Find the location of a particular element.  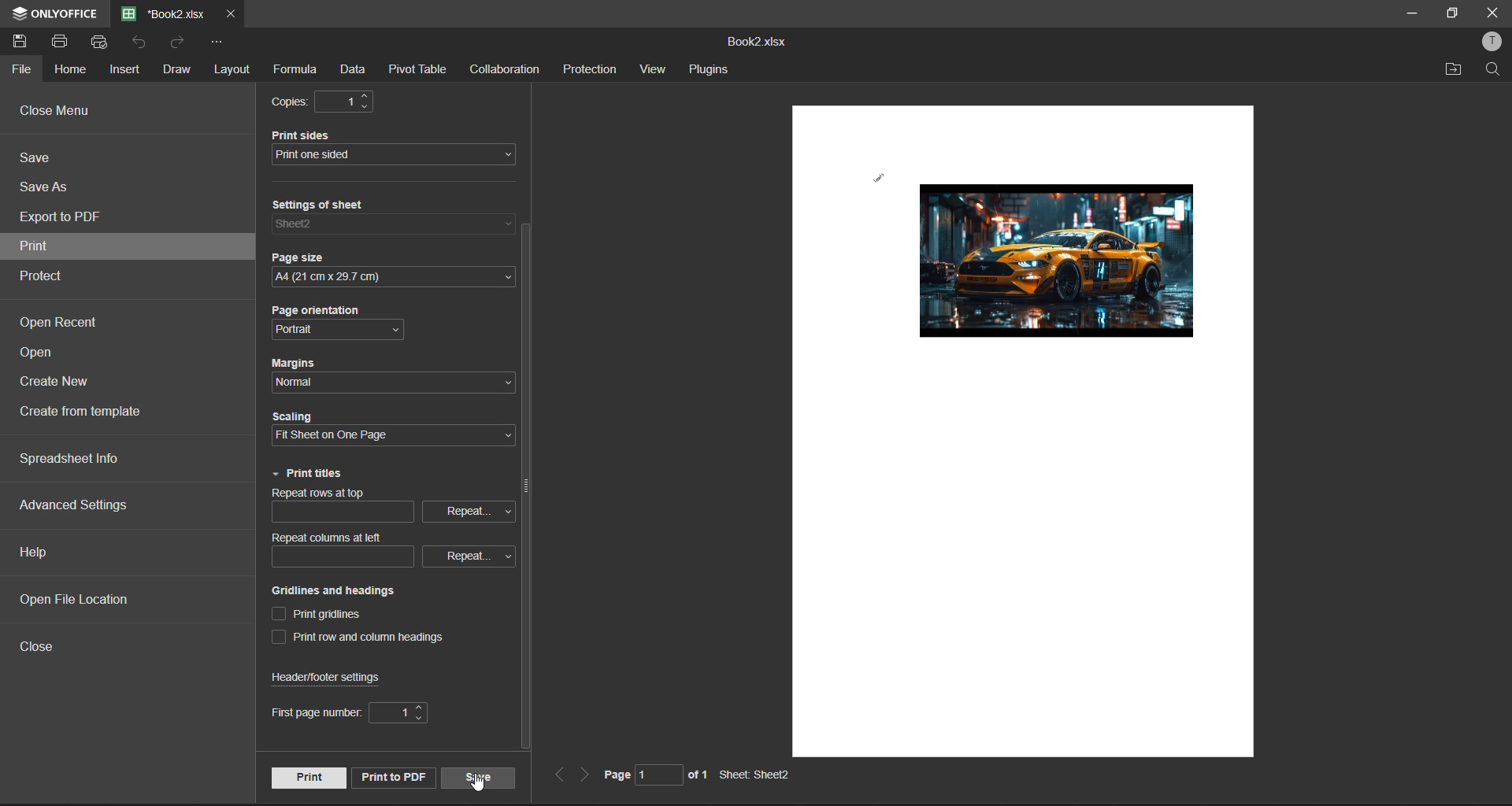

formula is located at coordinates (296, 70).